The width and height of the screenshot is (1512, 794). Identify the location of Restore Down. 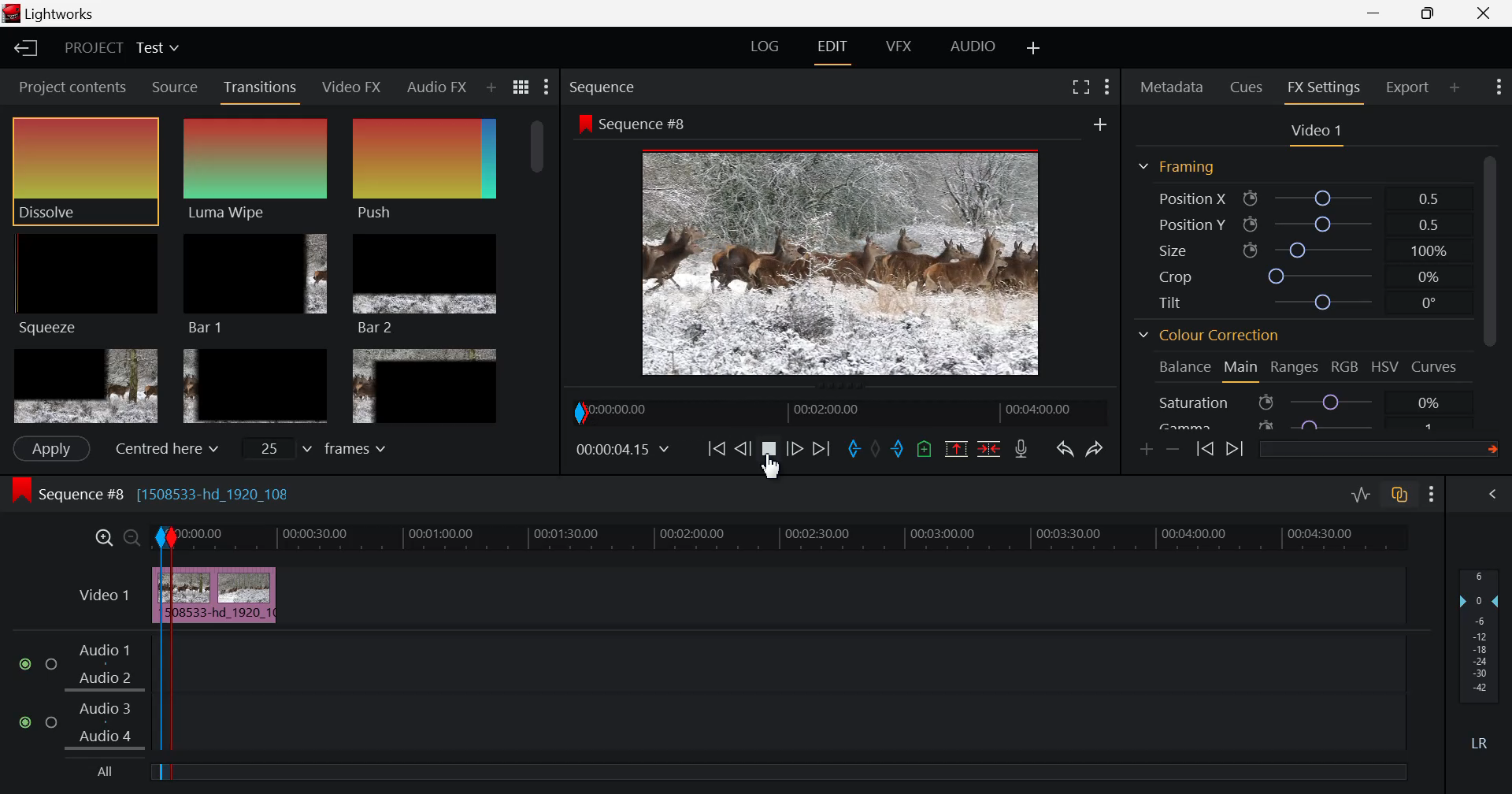
(1378, 13).